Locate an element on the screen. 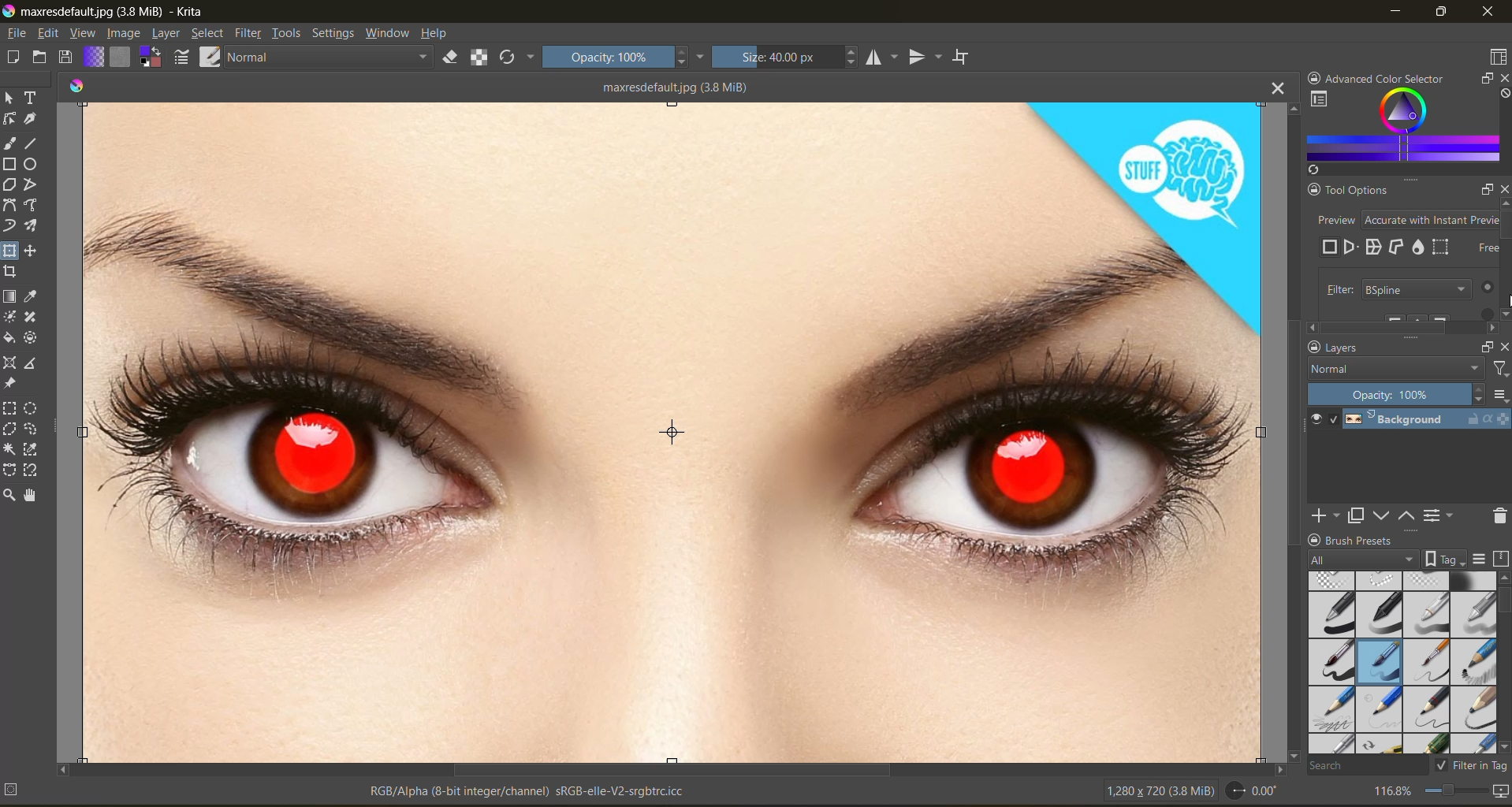 This screenshot has width=1512, height=807. layer is located at coordinates (166, 33).